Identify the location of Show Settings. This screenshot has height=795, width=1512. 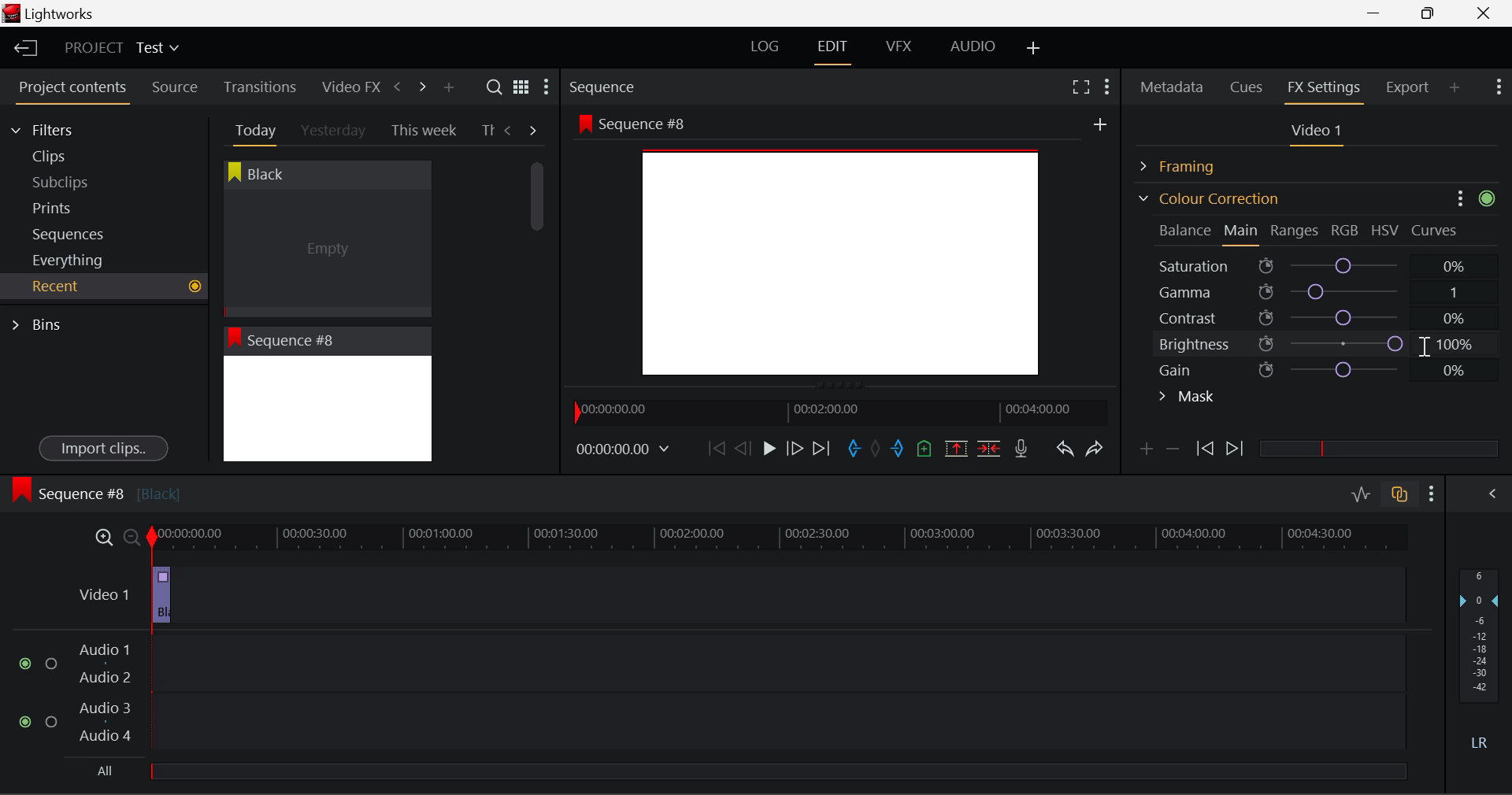
(1432, 494).